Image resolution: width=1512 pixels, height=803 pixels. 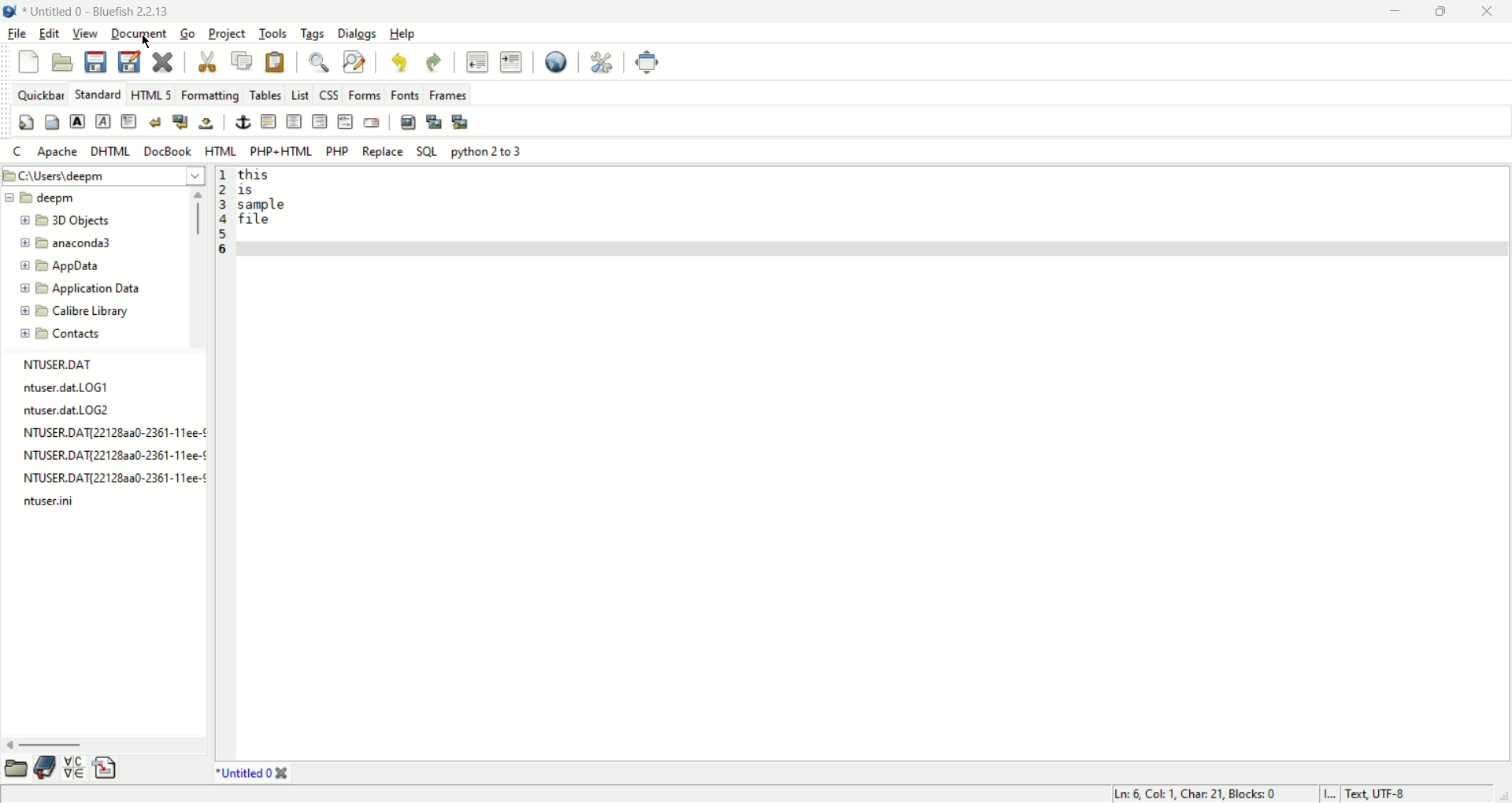 What do you see at coordinates (86, 33) in the screenshot?
I see `view` at bounding box center [86, 33].